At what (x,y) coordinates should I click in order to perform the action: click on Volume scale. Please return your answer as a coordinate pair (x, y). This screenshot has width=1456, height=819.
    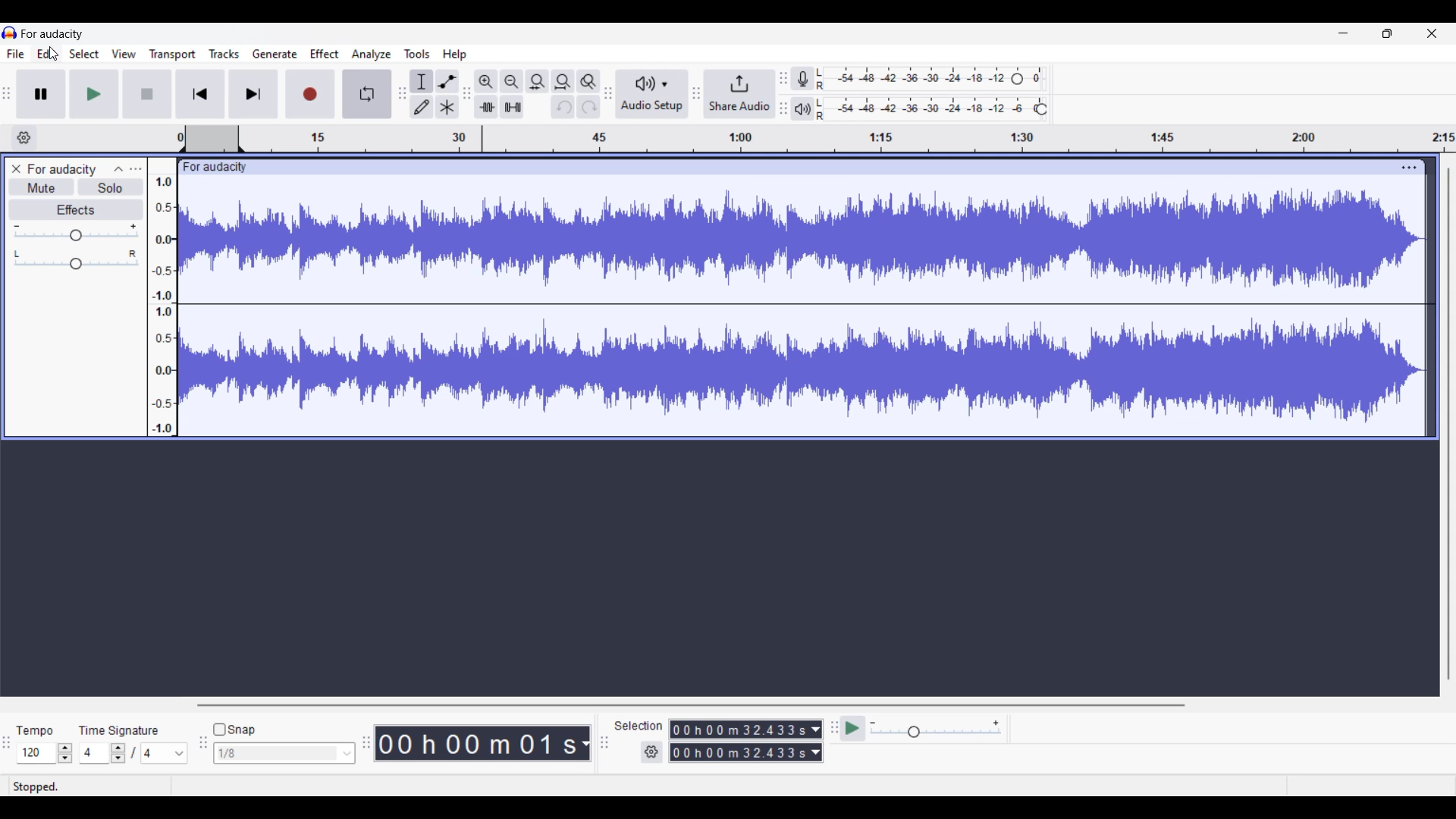
    Looking at the image, I should click on (76, 231).